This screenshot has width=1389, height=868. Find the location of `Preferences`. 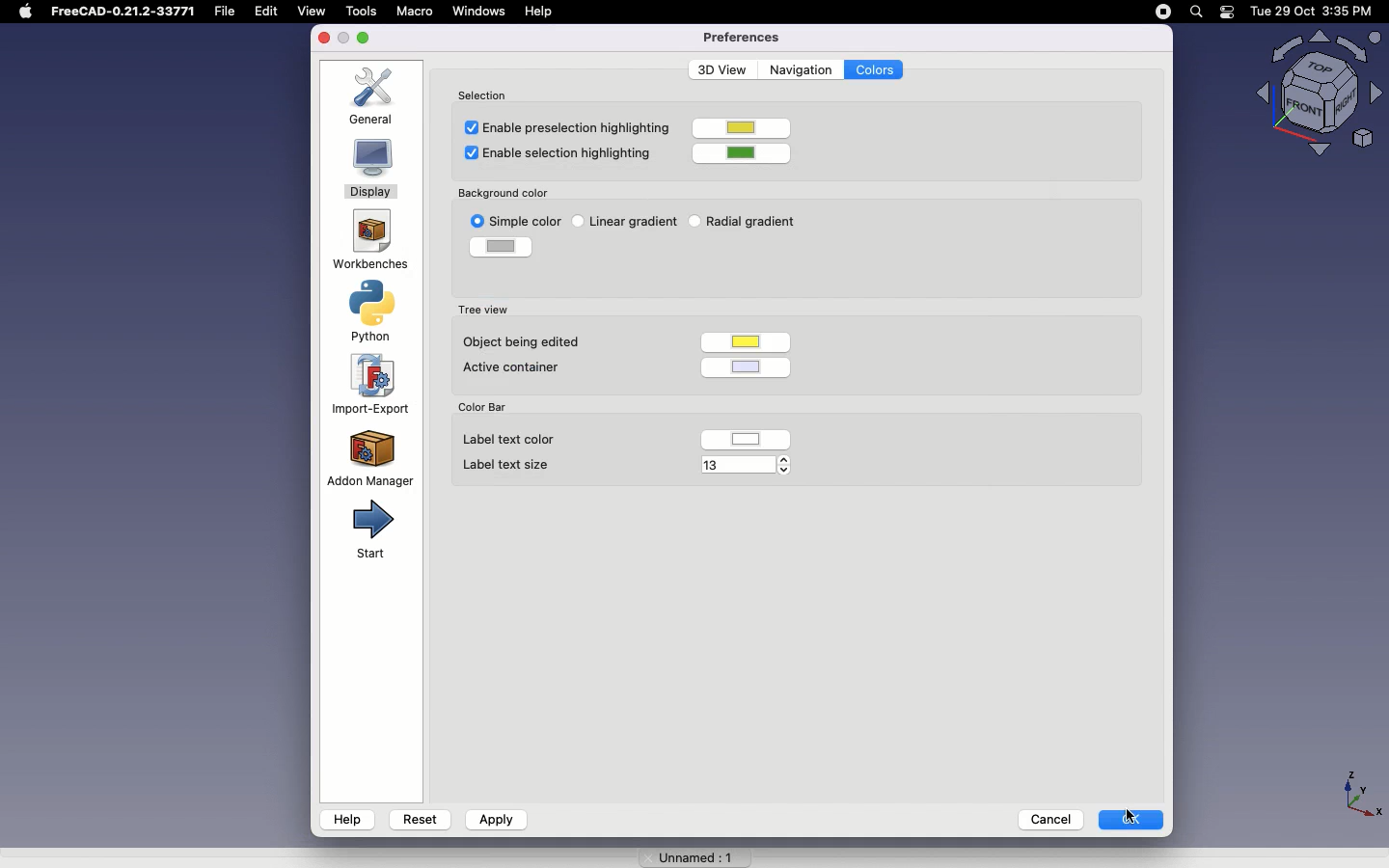

Preferences is located at coordinates (741, 37).